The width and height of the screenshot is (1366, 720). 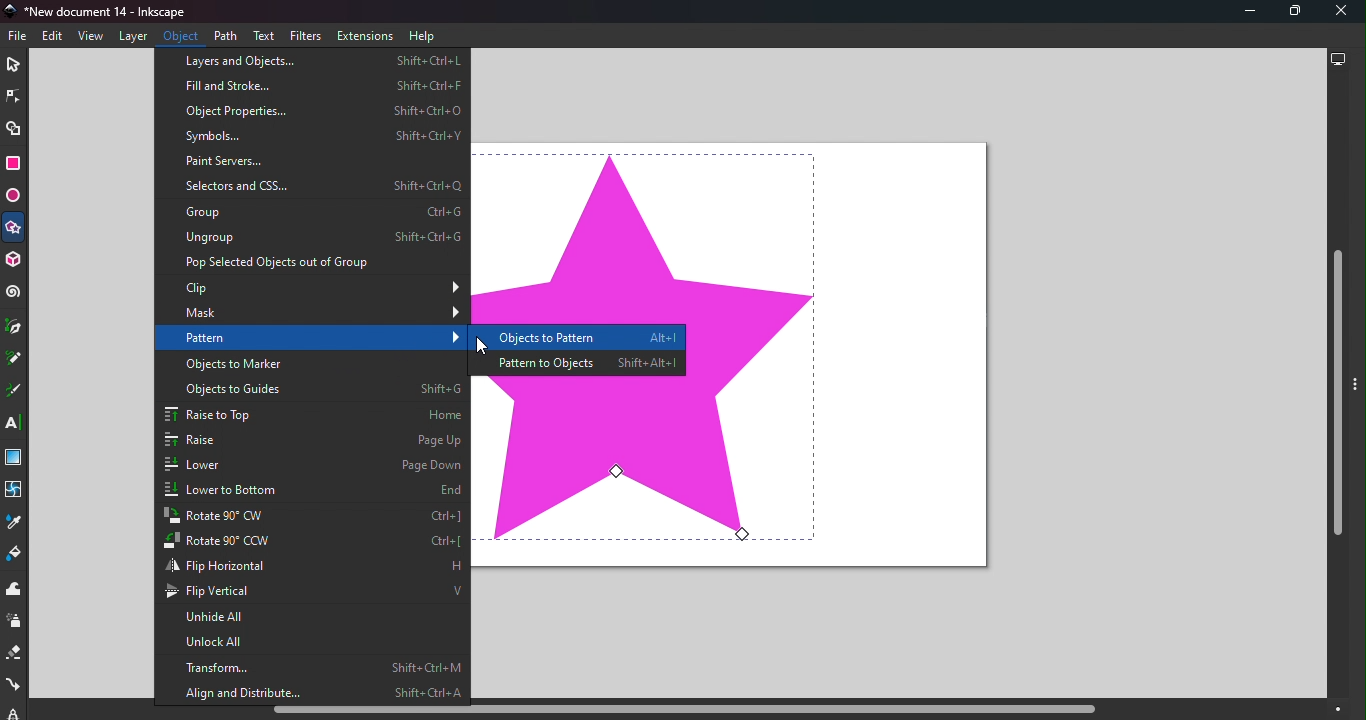 What do you see at coordinates (264, 36) in the screenshot?
I see `Text` at bounding box center [264, 36].